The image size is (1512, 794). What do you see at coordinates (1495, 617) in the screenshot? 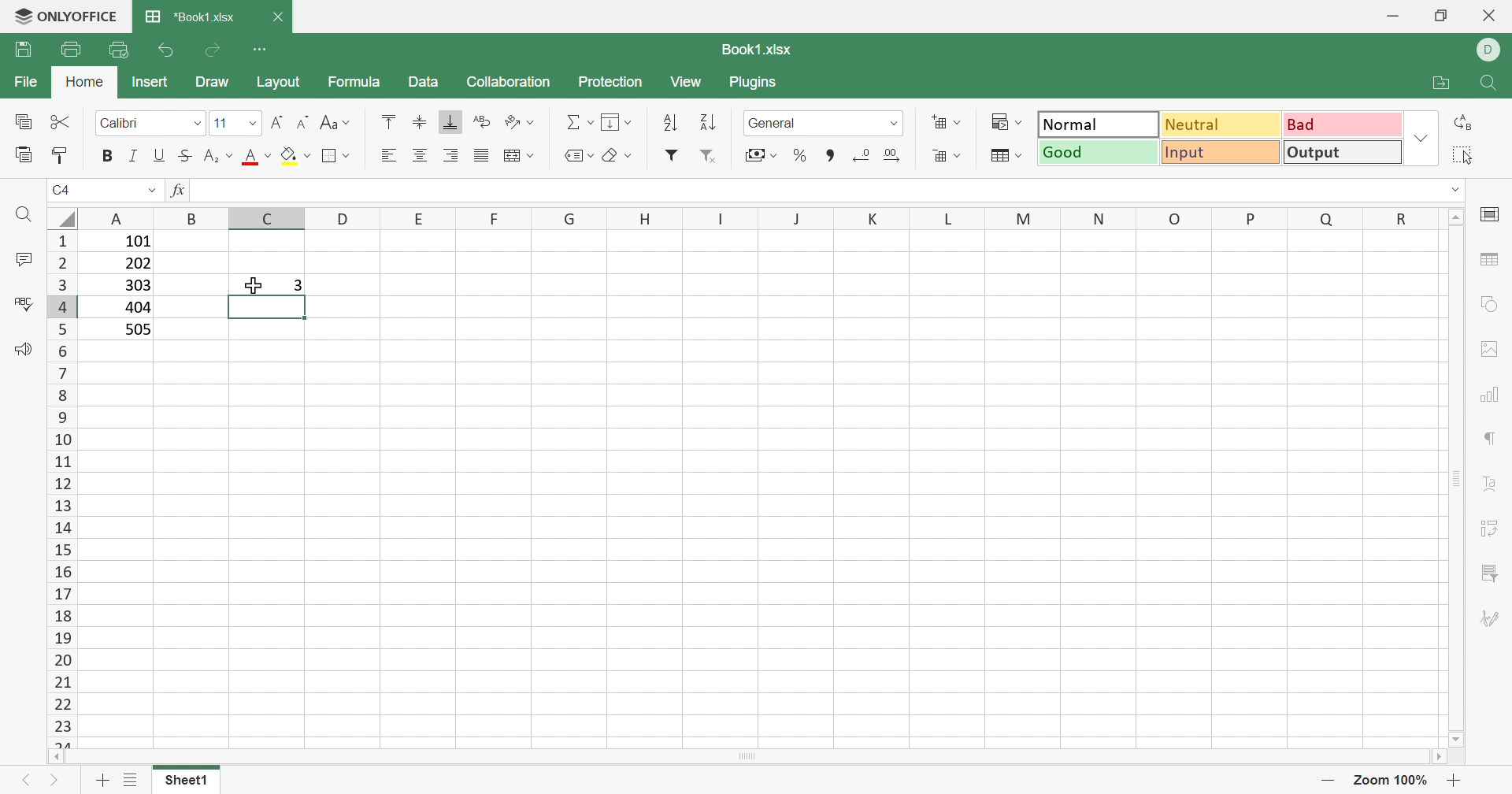
I see `Signature settings` at bounding box center [1495, 617].